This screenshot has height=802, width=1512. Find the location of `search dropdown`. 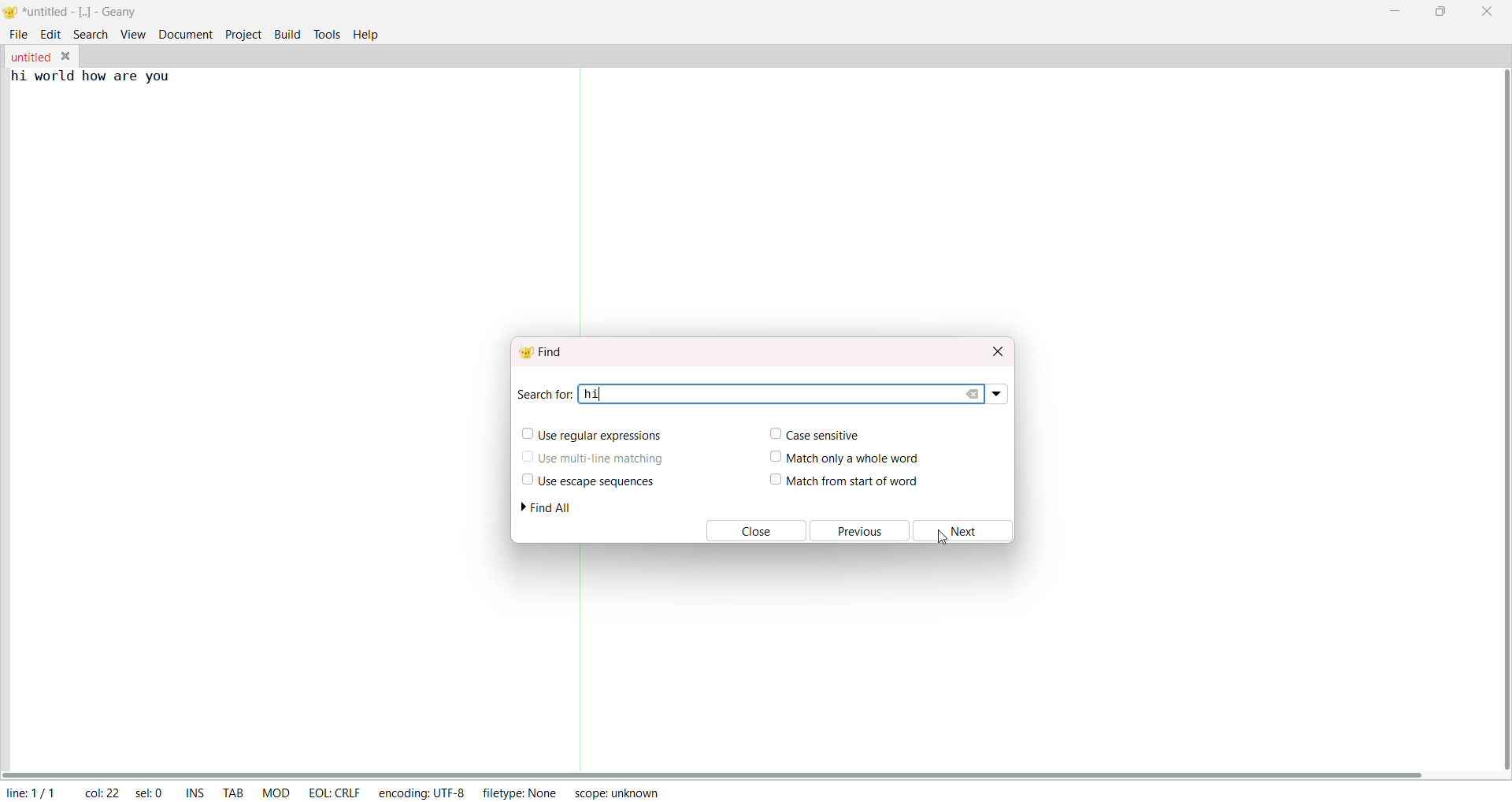

search dropdown is located at coordinates (1002, 393).